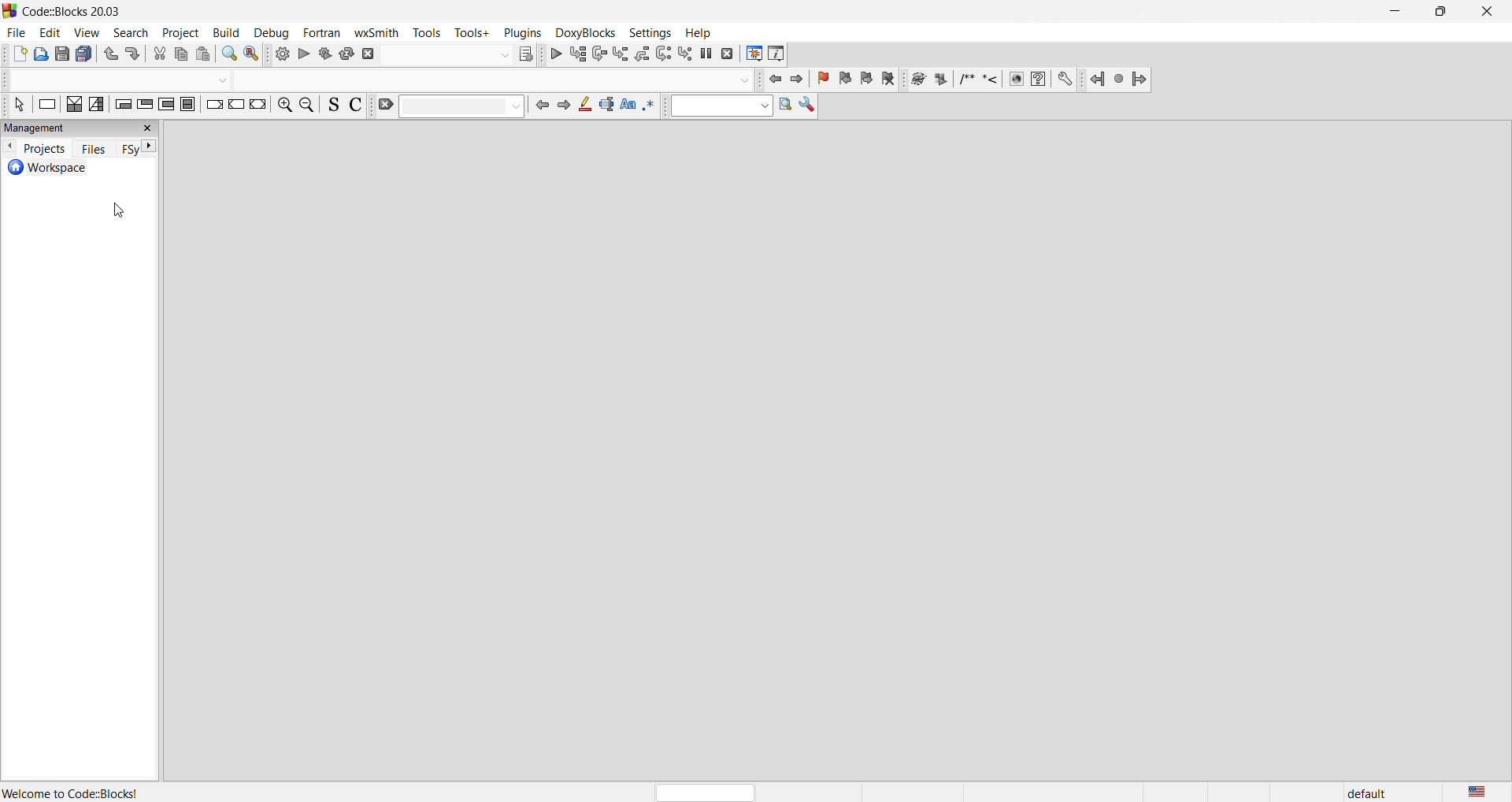  I want to click on run, so click(304, 54).